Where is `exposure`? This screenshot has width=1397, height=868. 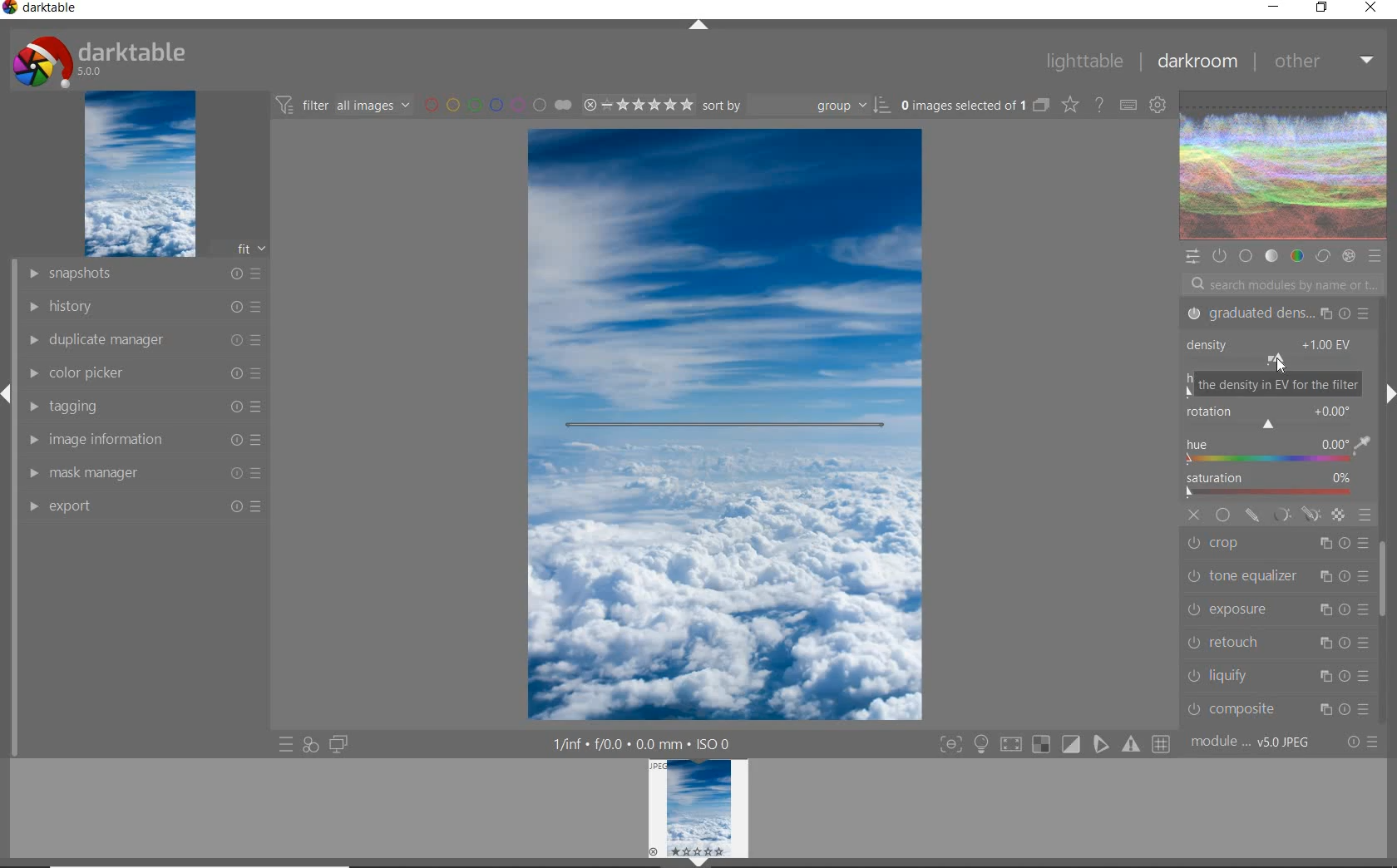 exposure is located at coordinates (1276, 609).